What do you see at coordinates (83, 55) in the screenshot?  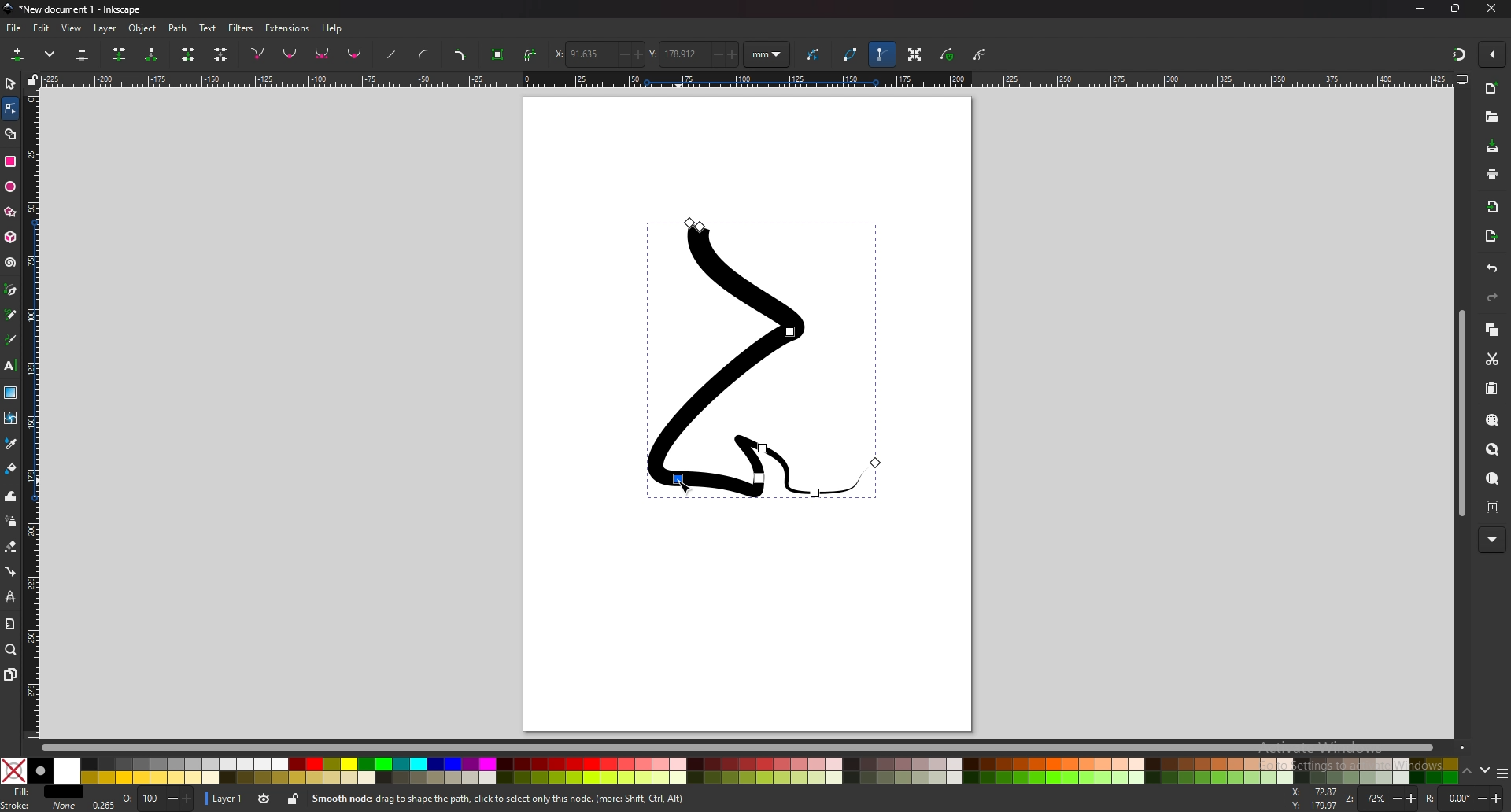 I see `delete selected nodes` at bounding box center [83, 55].